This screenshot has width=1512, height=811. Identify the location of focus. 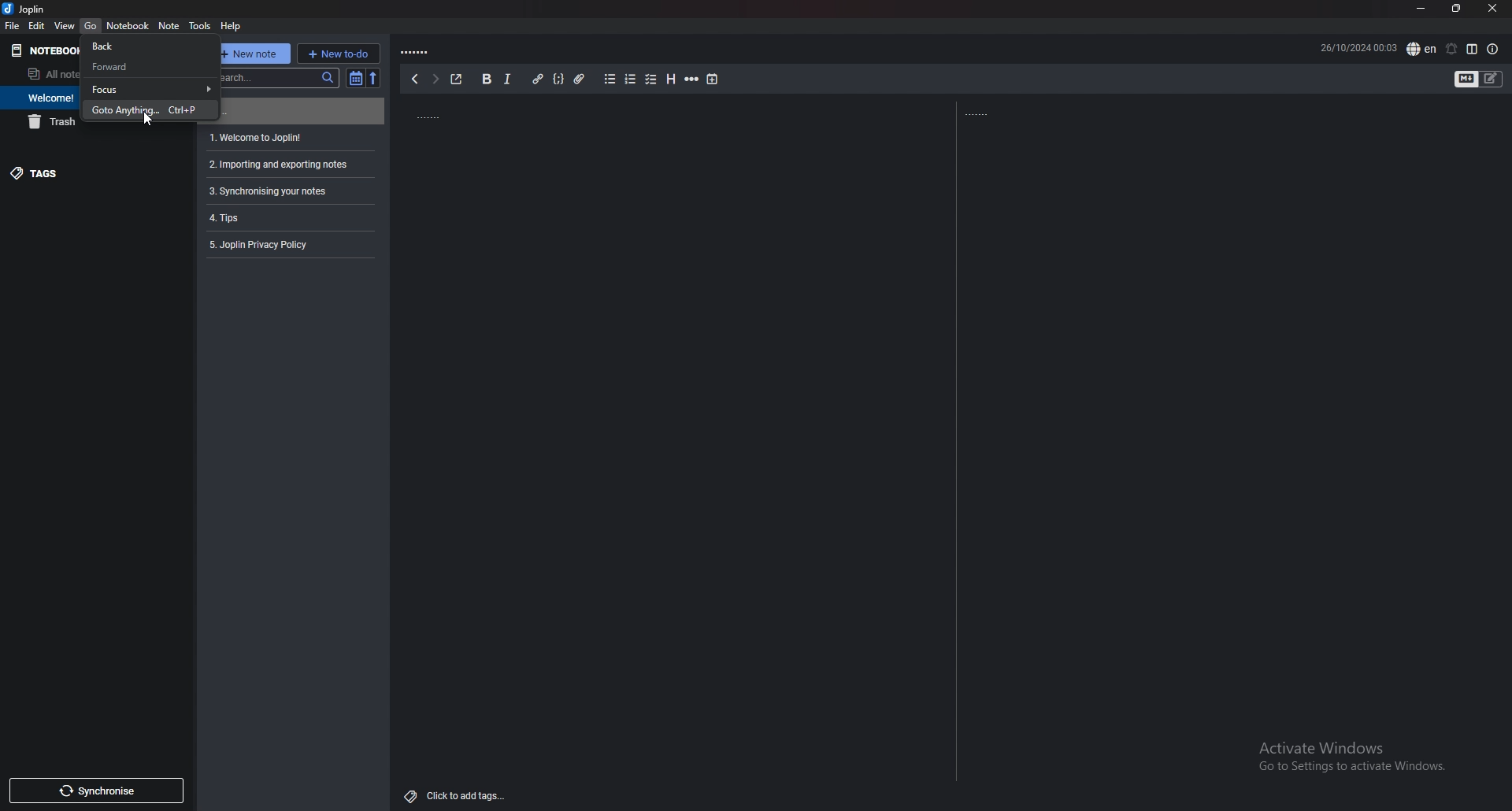
(153, 89).